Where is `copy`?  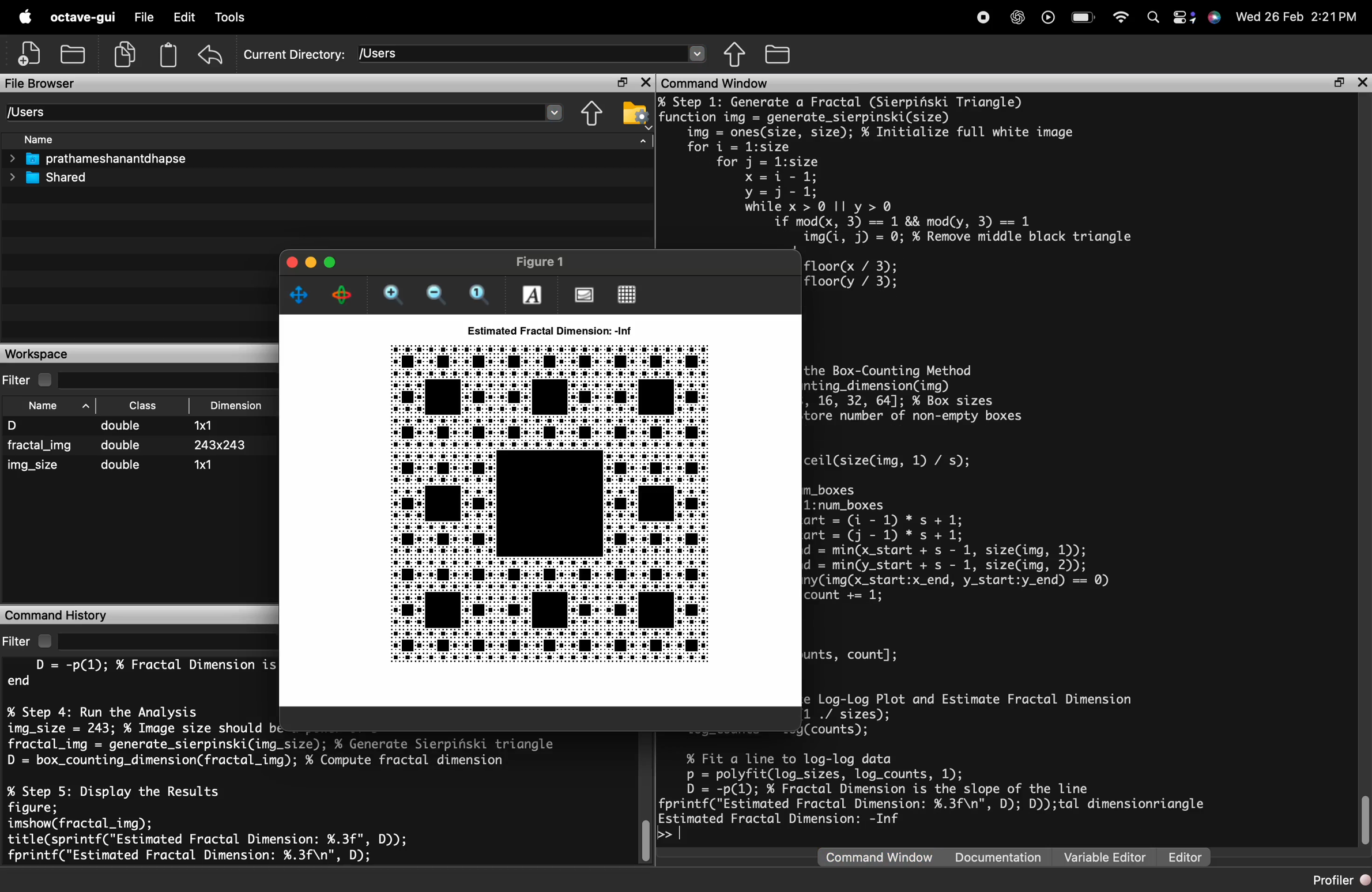 copy is located at coordinates (126, 58).